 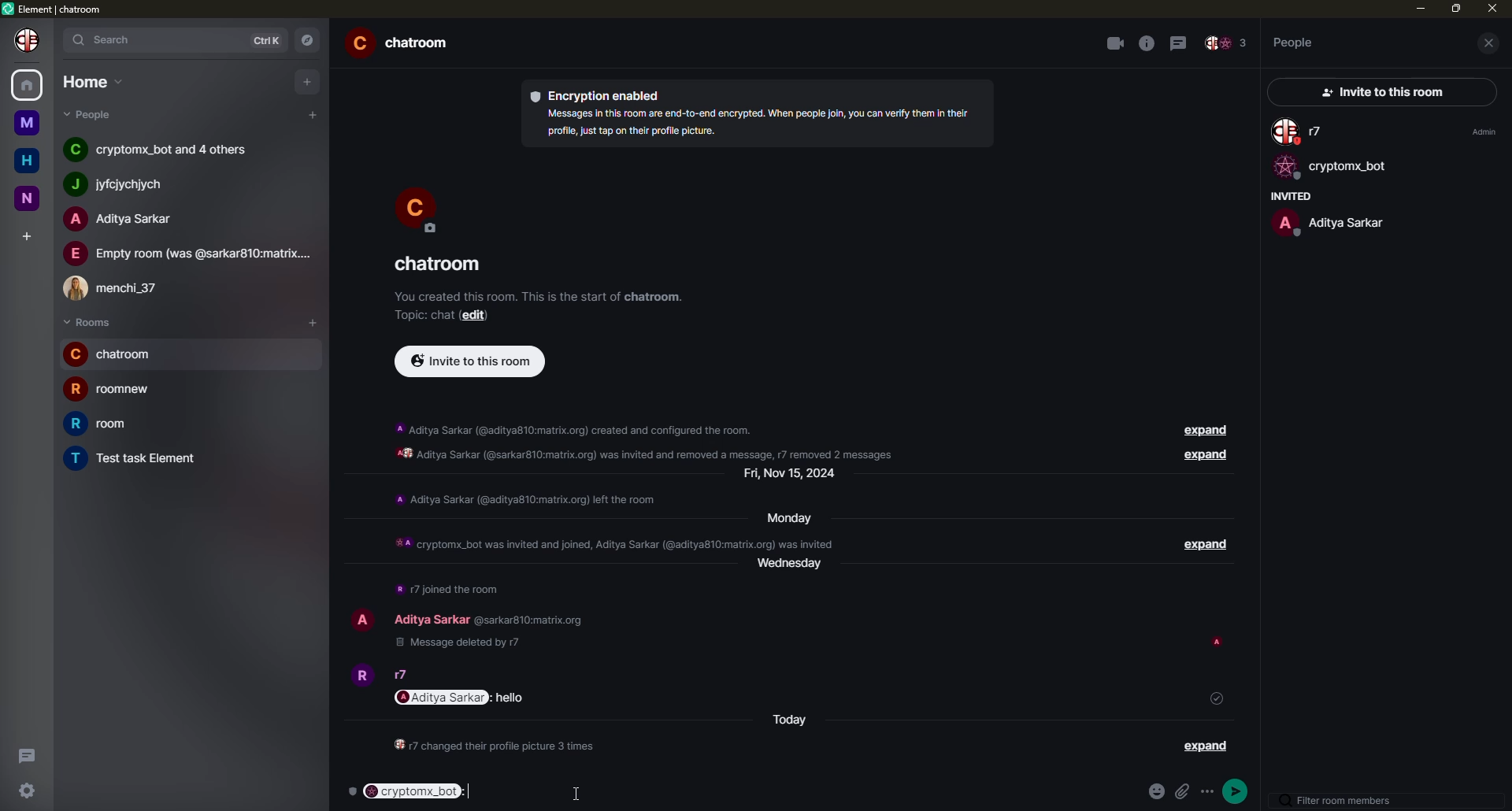 What do you see at coordinates (88, 323) in the screenshot?
I see `rooms` at bounding box center [88, 323].